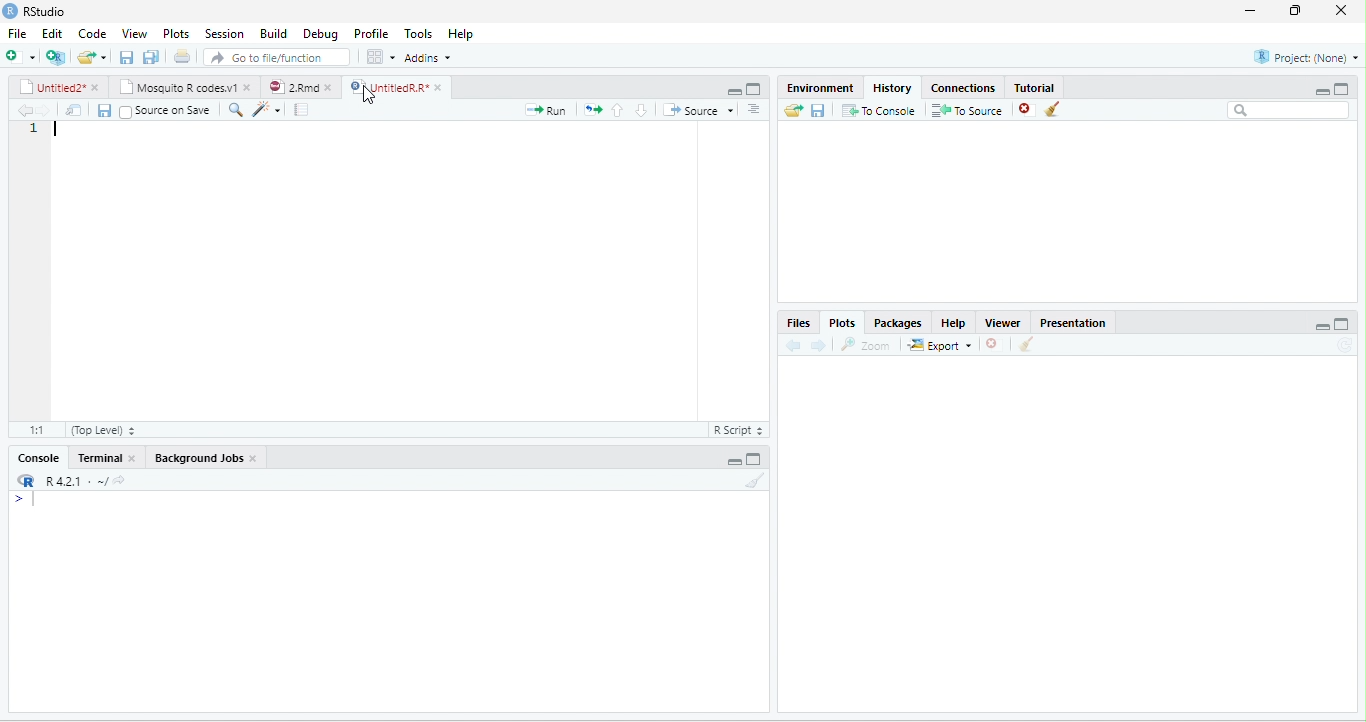 This screenshot has width=1366, height=722. Describe the element at coordinates (377, 94) in the screenshot. I see `cursor` at that location.